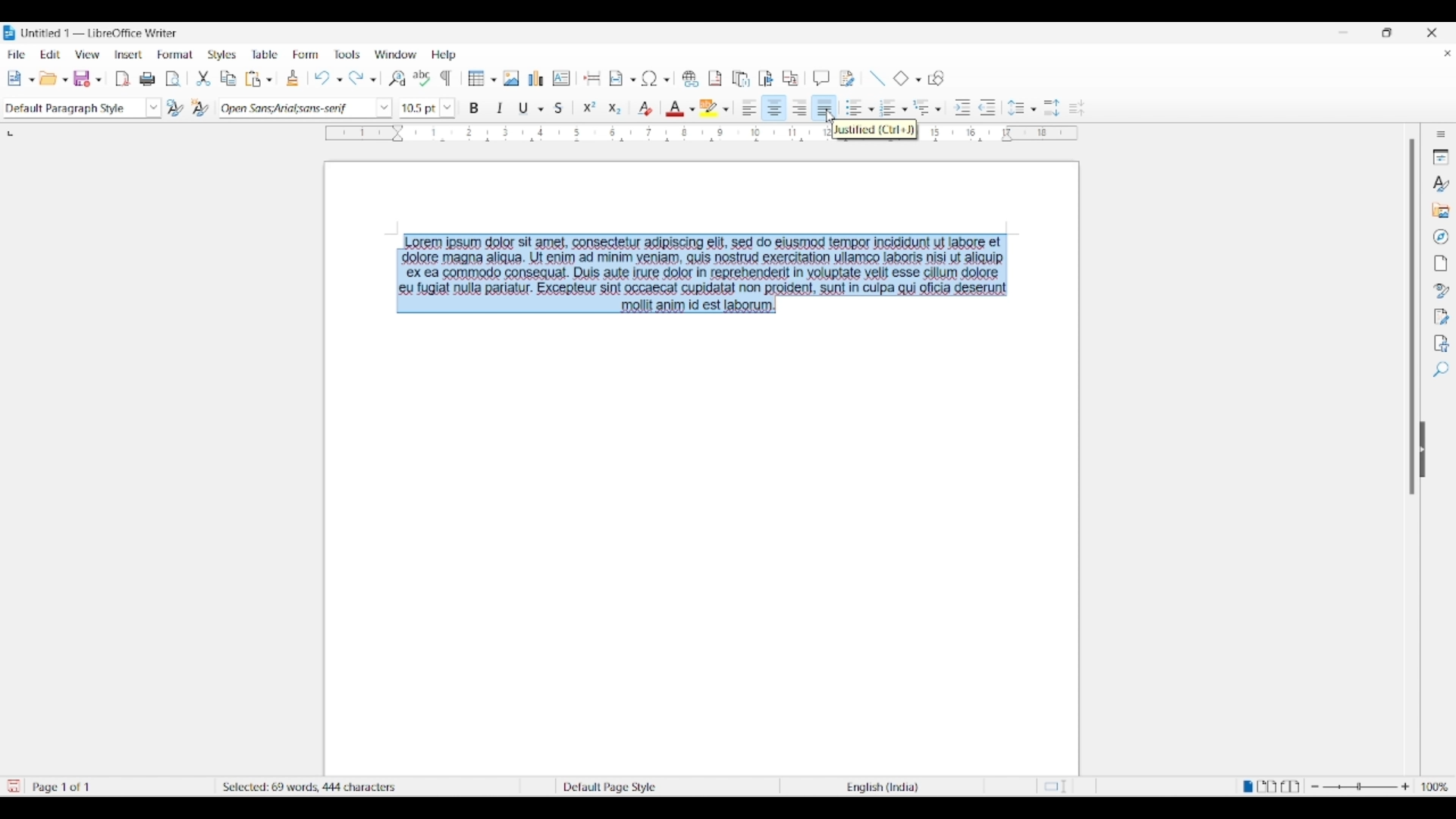  What do you see at coordinates (123, 79) in the screenshot?
I see `Export directly as PDF` at bounding box center [123, 79].